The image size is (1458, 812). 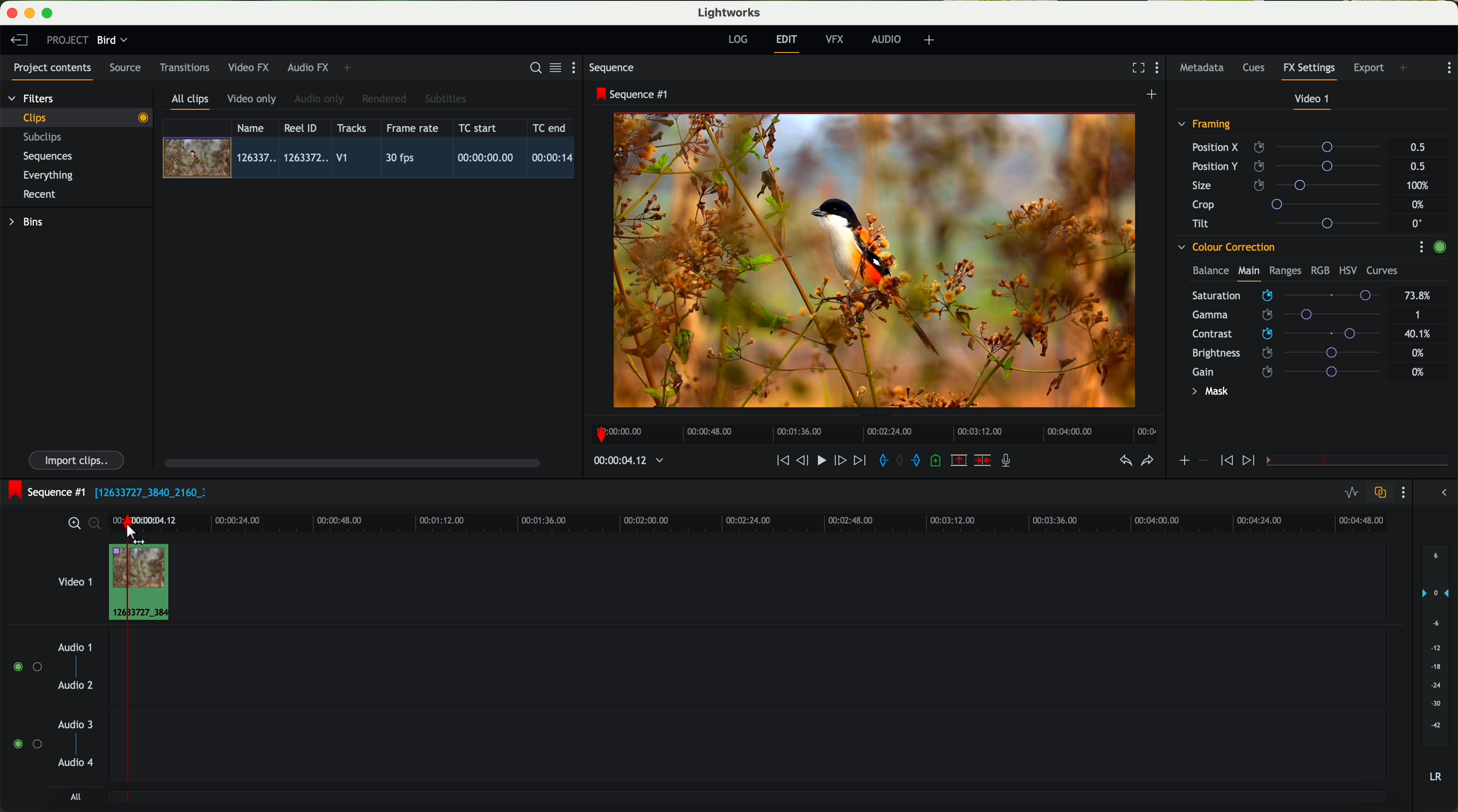 I want to click on remove the marked section, so click(x=960, y=461).